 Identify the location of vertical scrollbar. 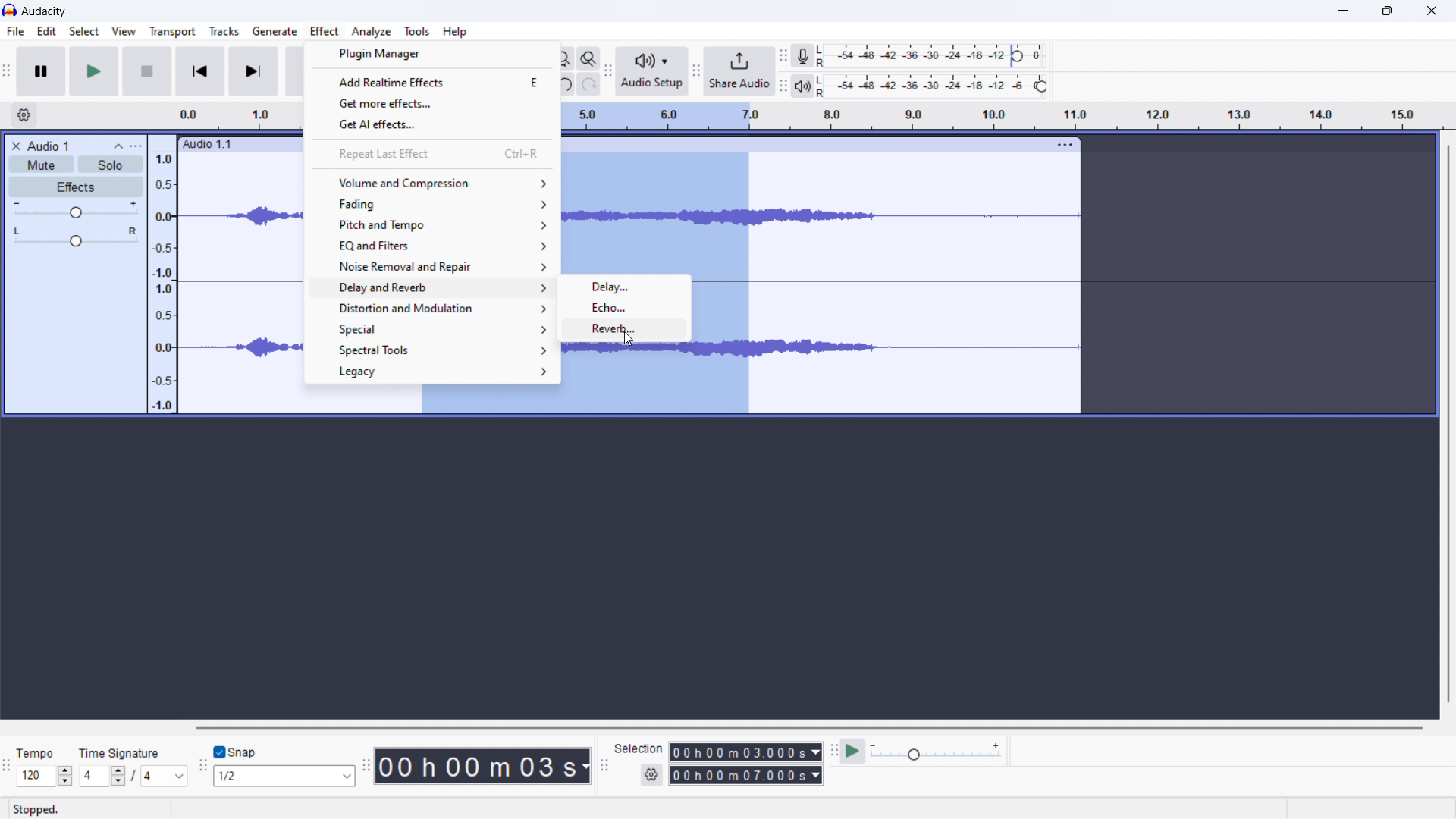
(1447, 425).